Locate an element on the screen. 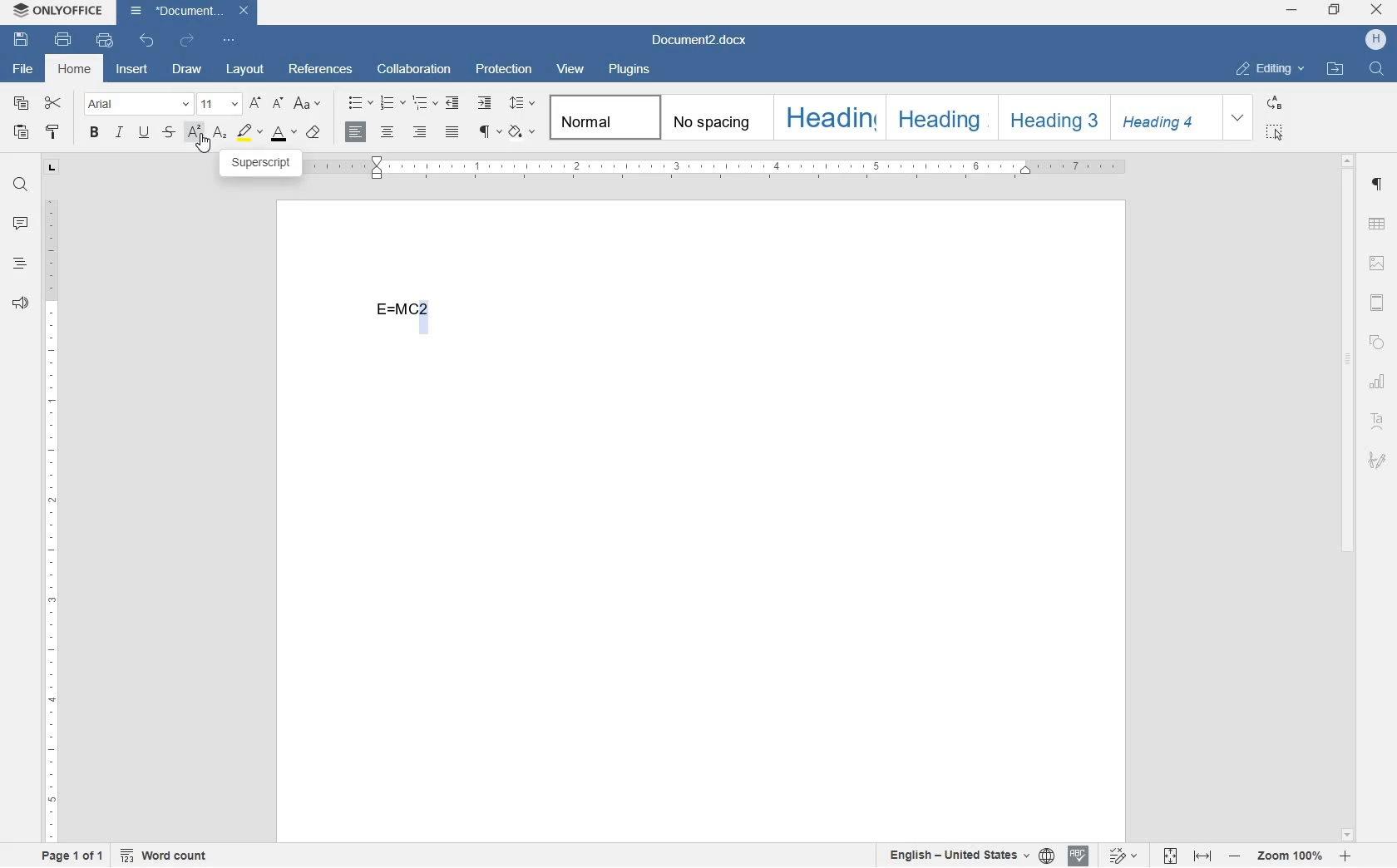  editing is located at coordinates (1268, 69).